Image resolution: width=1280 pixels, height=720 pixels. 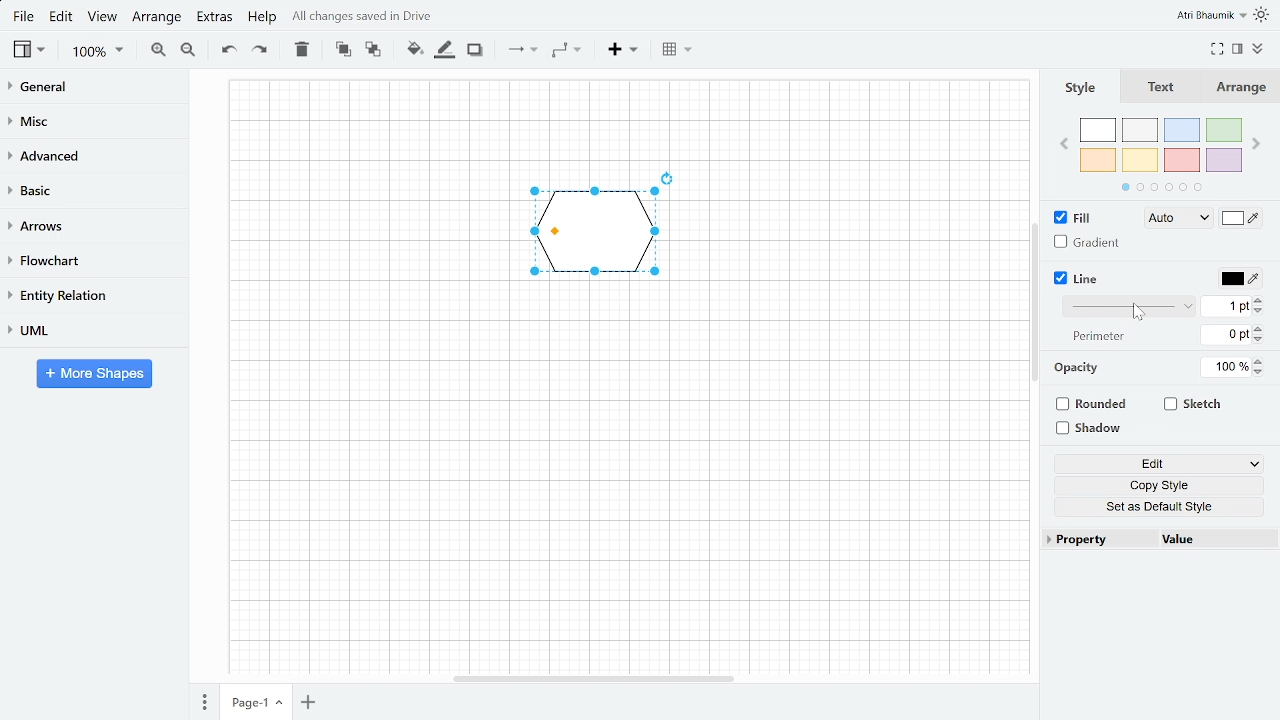 I want to click on Decrease lien perimeter, so click(x=1260, y=340).